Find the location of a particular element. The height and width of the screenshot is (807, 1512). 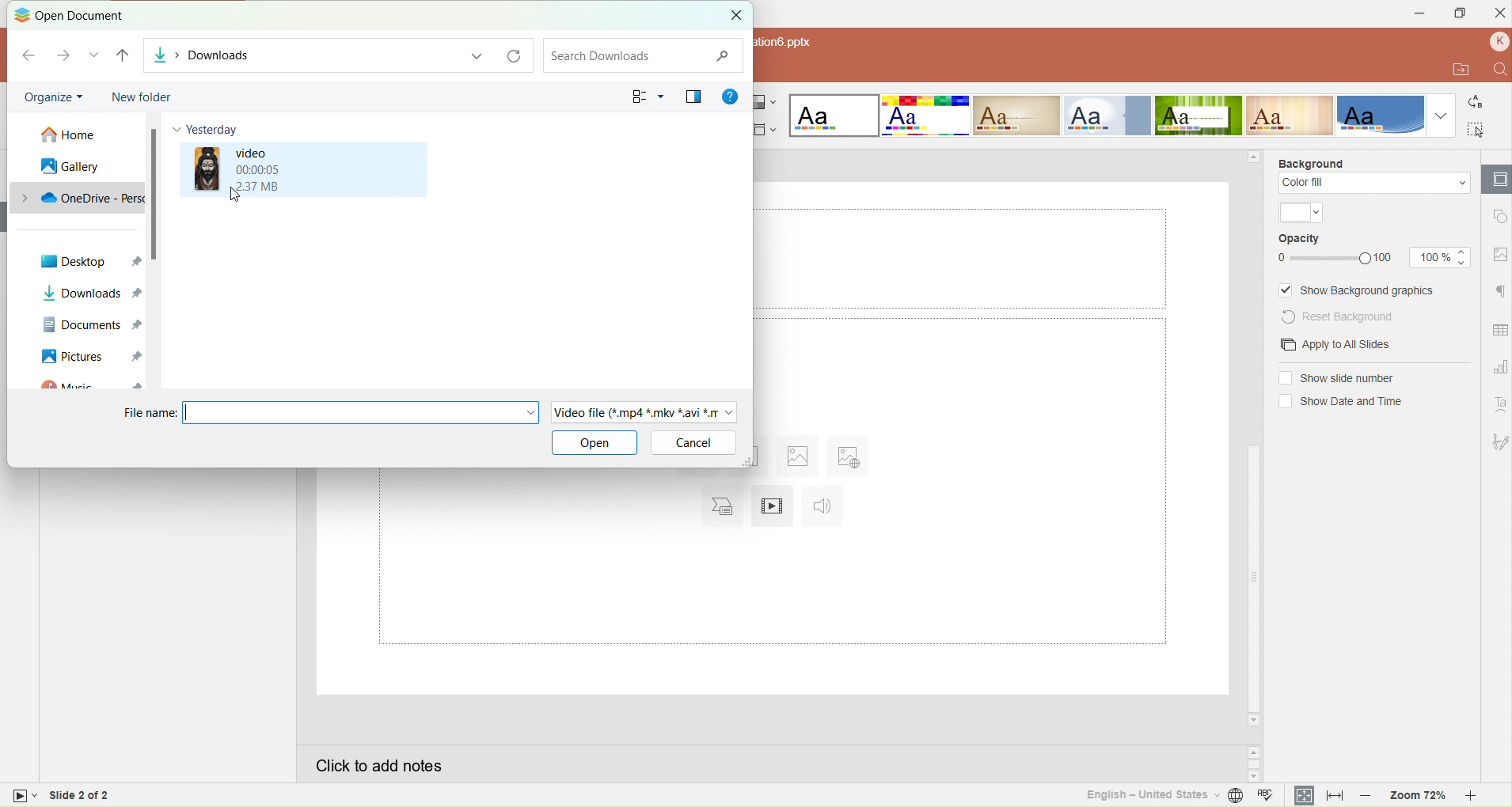

Classic is located at coordinates (1016, 116).